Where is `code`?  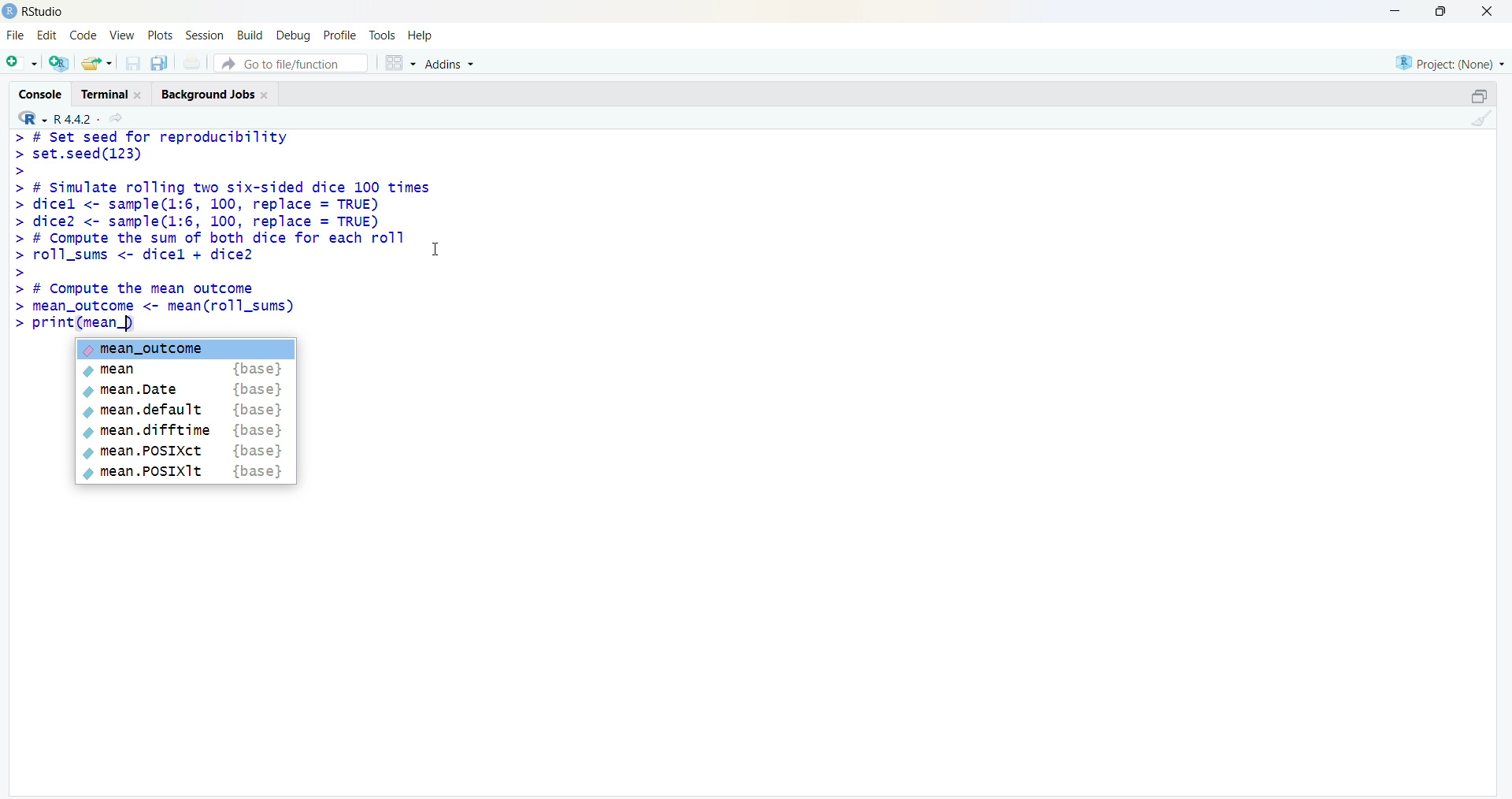 code is located at coordinates (83, 35).